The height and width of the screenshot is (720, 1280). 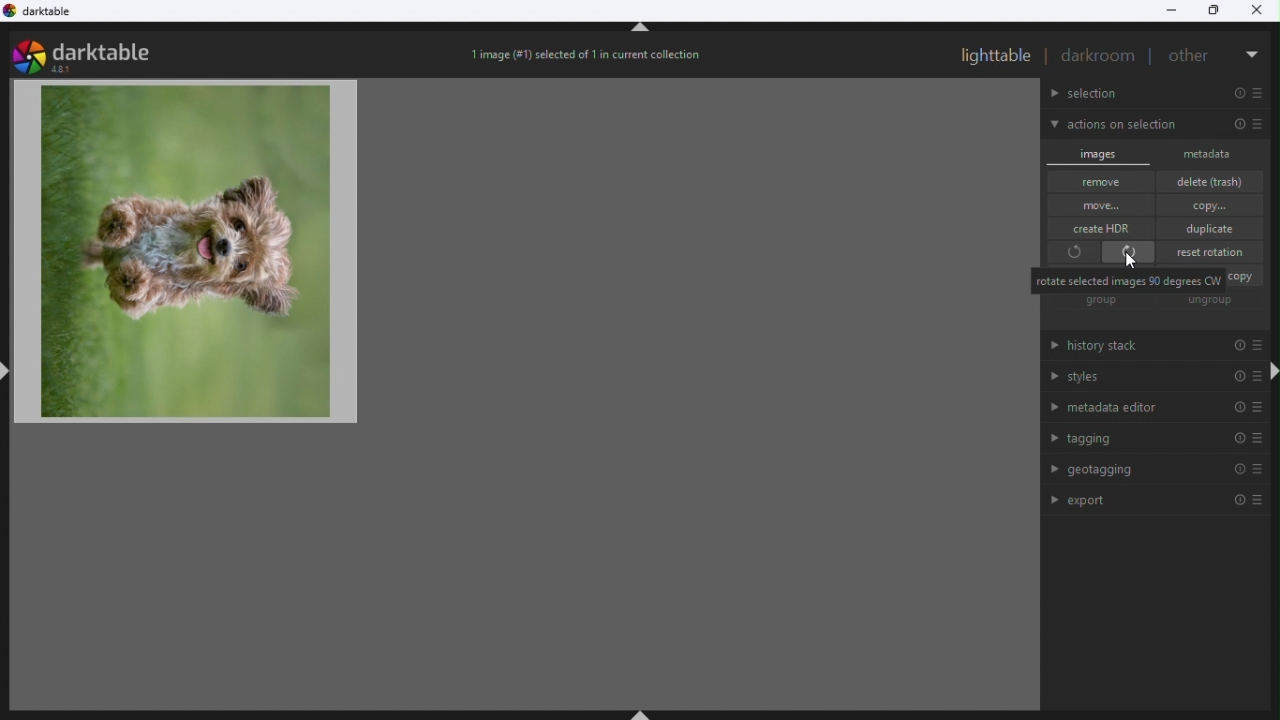 What do you see at coordinates (1214, 302) in the screenshot?
I see `UN group` at bounding box center [1214, 302].